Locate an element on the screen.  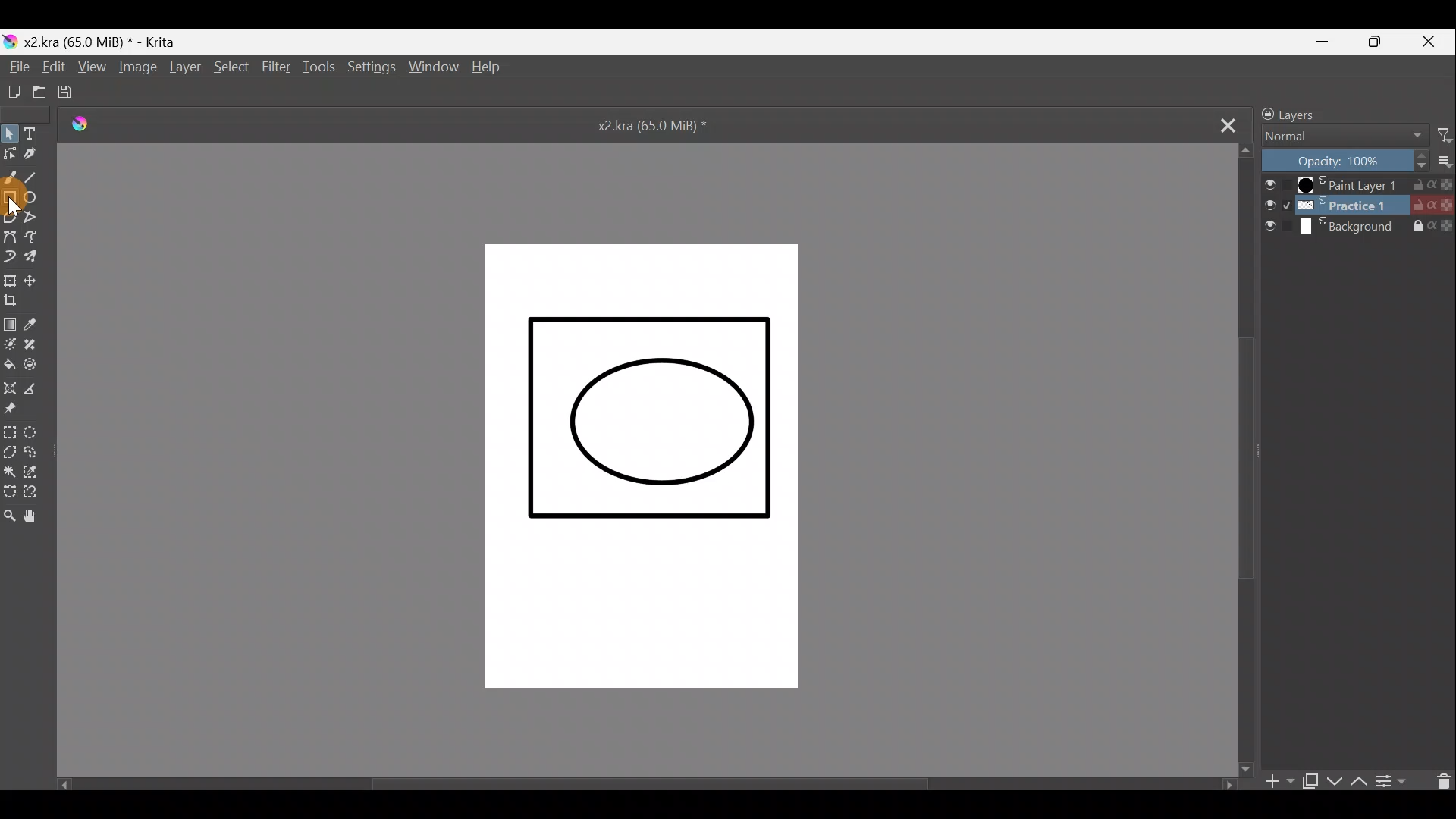
Zoom tool is located at coordinates (9, 513).